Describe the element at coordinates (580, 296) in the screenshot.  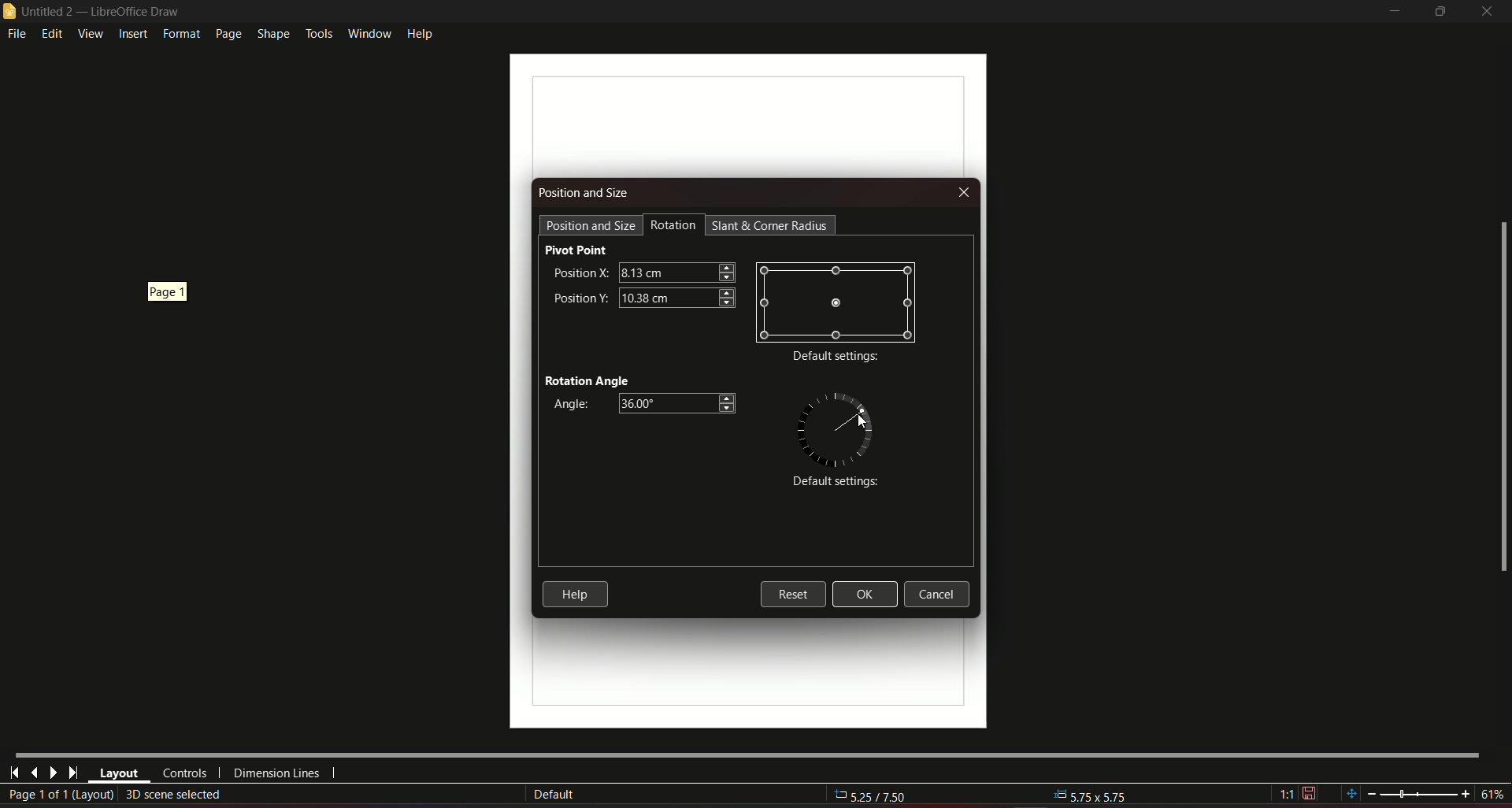
I see `Position Y` at that location.